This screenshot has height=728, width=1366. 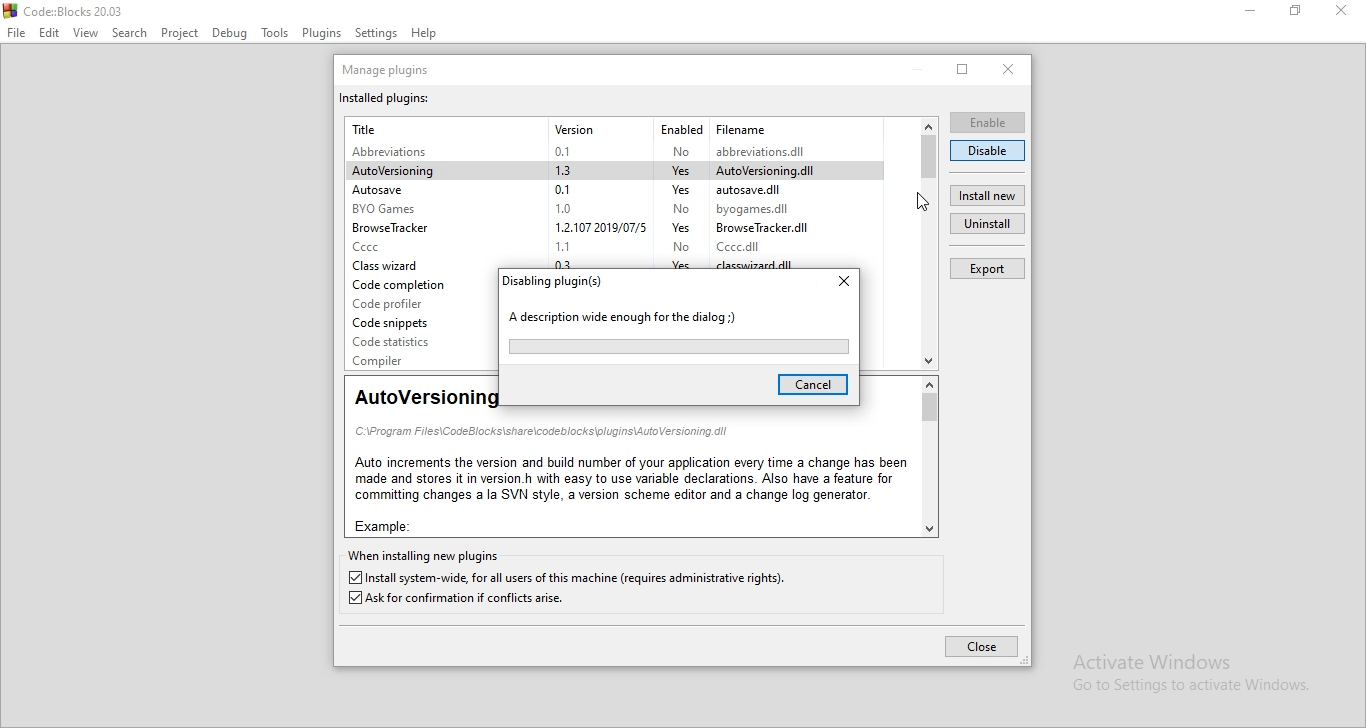 What do you see at coordinates (381, 524) in the screenshot?
I see `Example:` at bounding box center [381, 524].